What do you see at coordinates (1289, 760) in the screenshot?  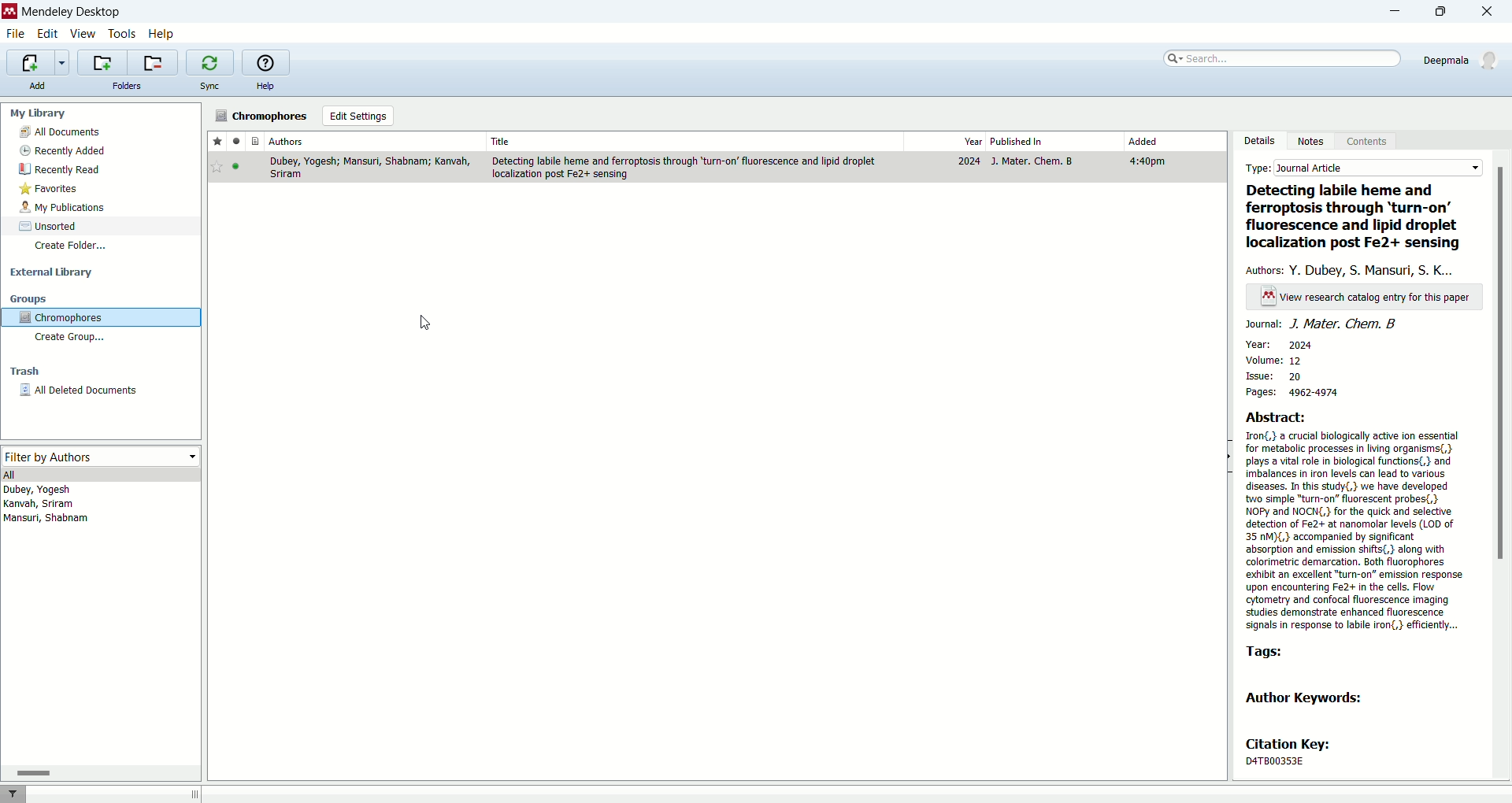 I see `| DA4TBO03S3E` at bounding box center [1289, 760].